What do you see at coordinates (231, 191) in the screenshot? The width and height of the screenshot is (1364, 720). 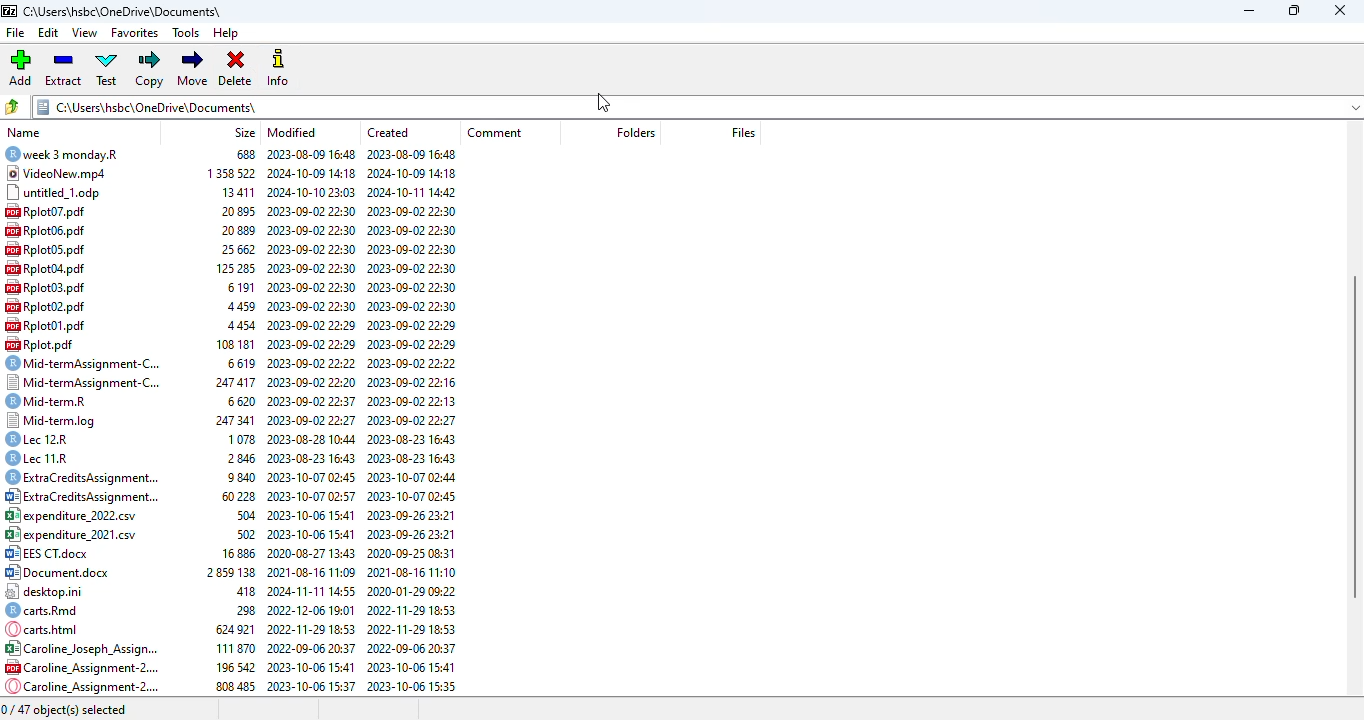 I see `13411` at bounding box center [231, 191].